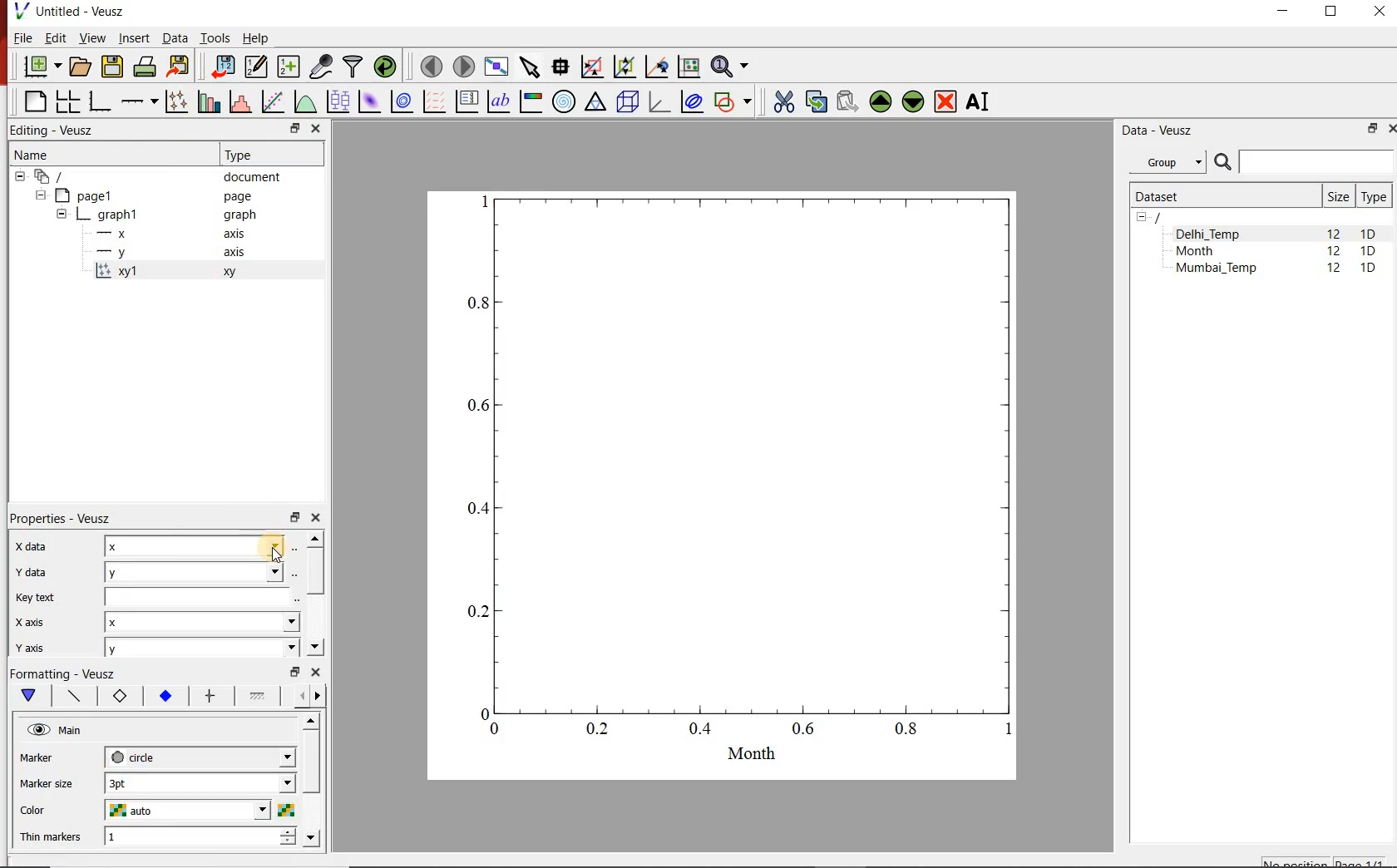  What do you see at coordinates (255, 67) in the screenshot?
I see `edit and enter new datasets` at bounding box center [255, 67].